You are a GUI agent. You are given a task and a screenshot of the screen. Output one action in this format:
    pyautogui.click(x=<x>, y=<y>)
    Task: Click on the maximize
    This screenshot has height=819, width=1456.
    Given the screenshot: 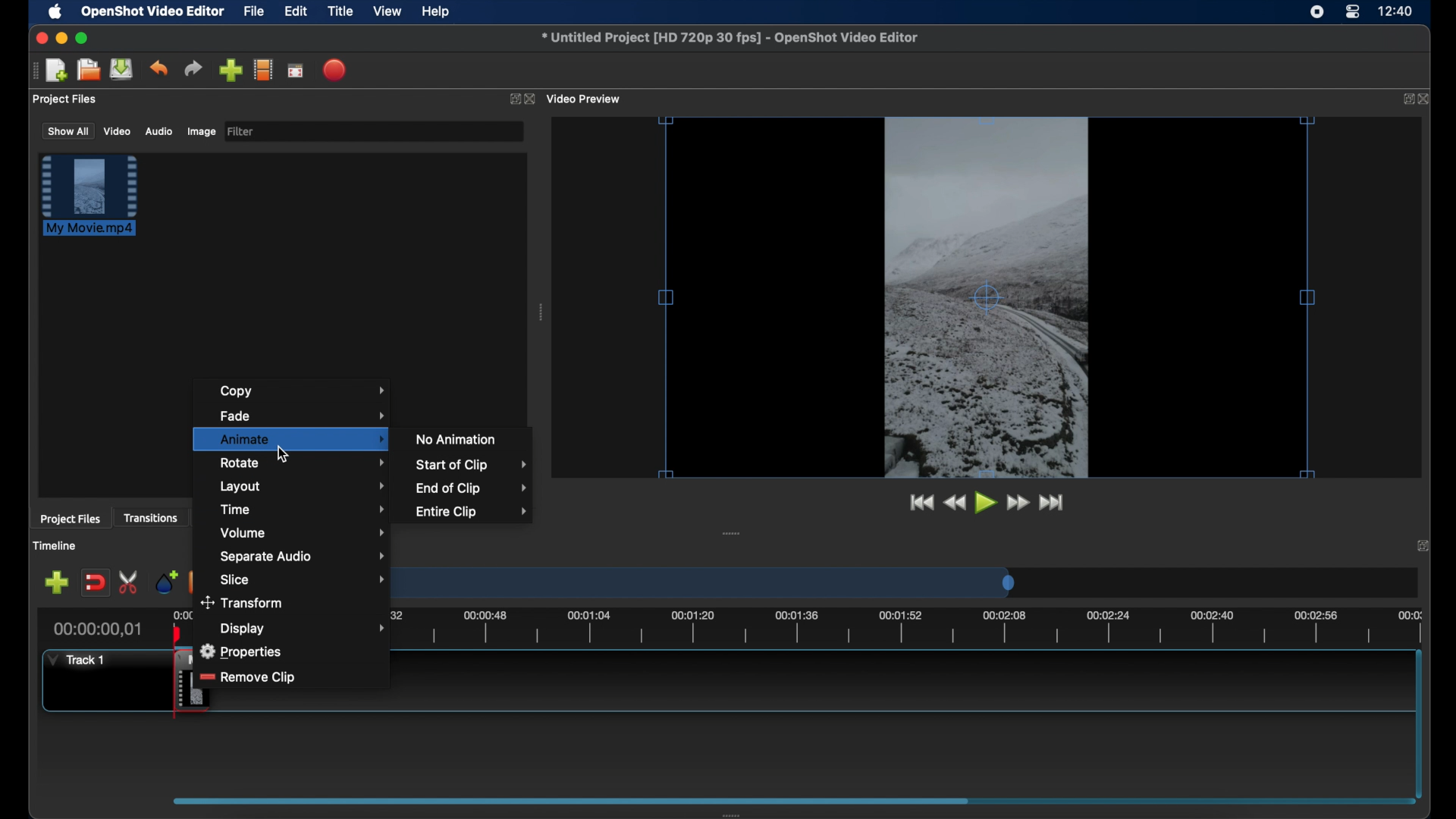 What is the action you would take?
    pyautogui.click(x=83, y=38)
    